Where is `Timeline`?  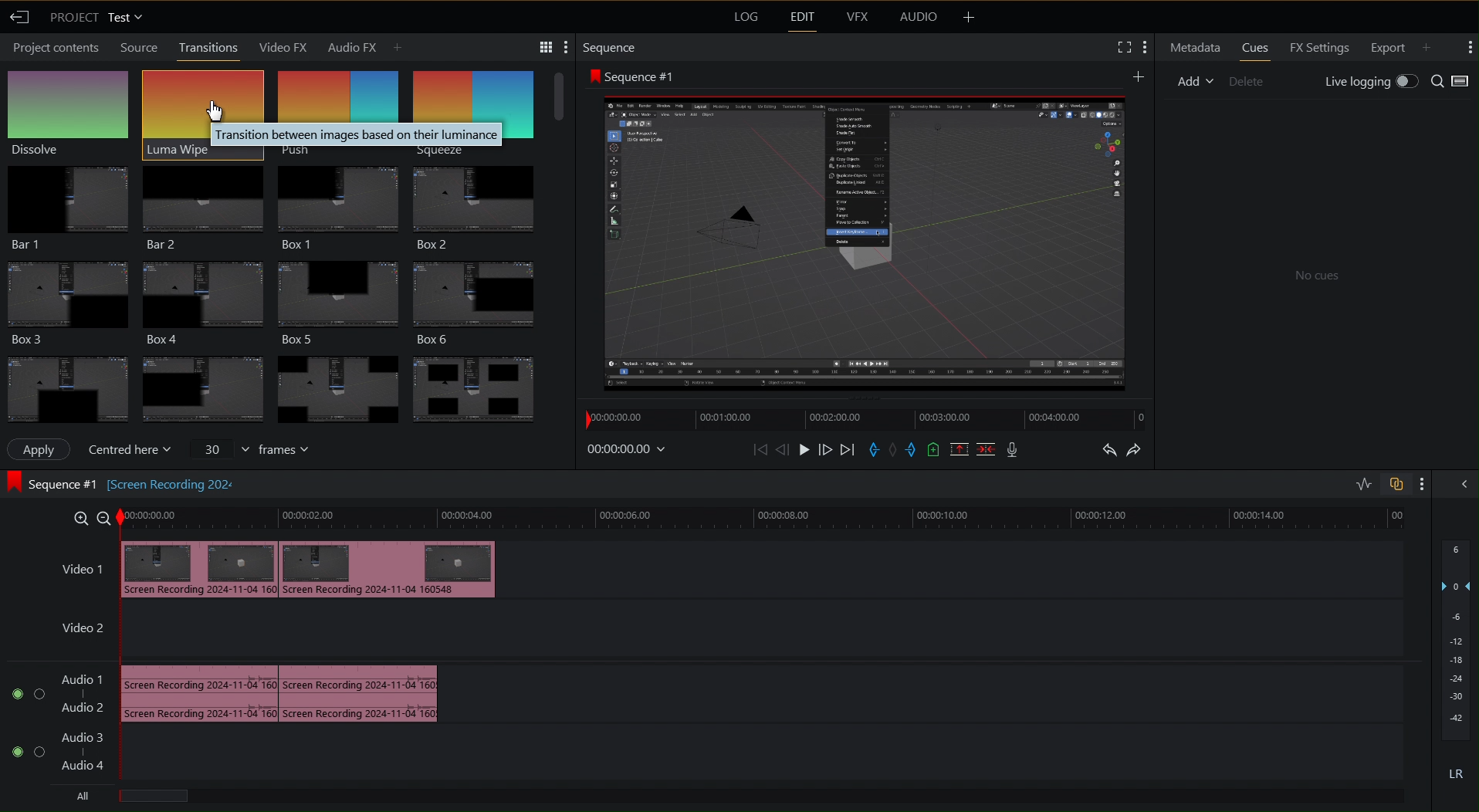
Timeline is located at coordinates (767, 519).